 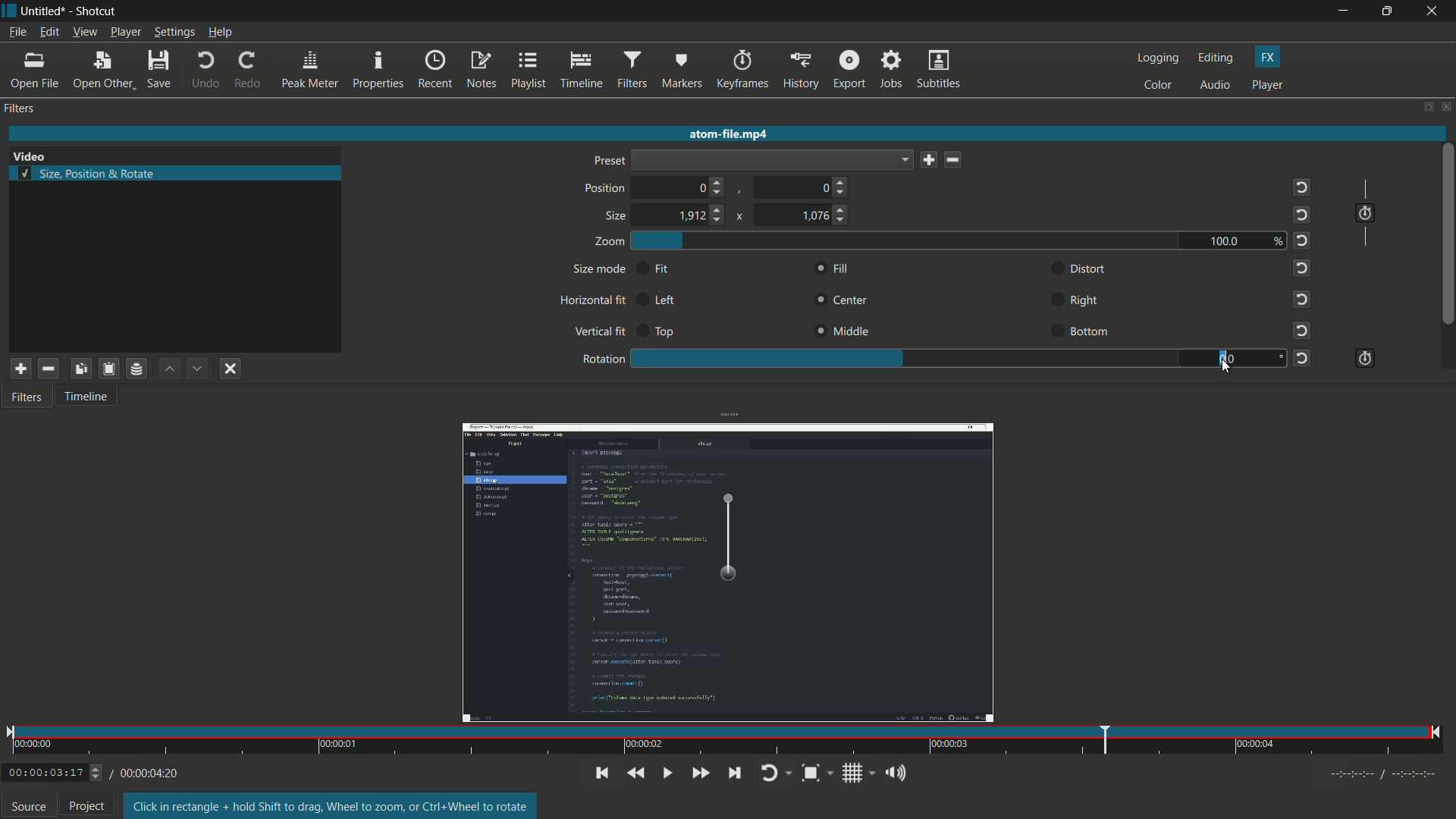 I want to click on rotation adjustment bar, so click(x=904, y=359).